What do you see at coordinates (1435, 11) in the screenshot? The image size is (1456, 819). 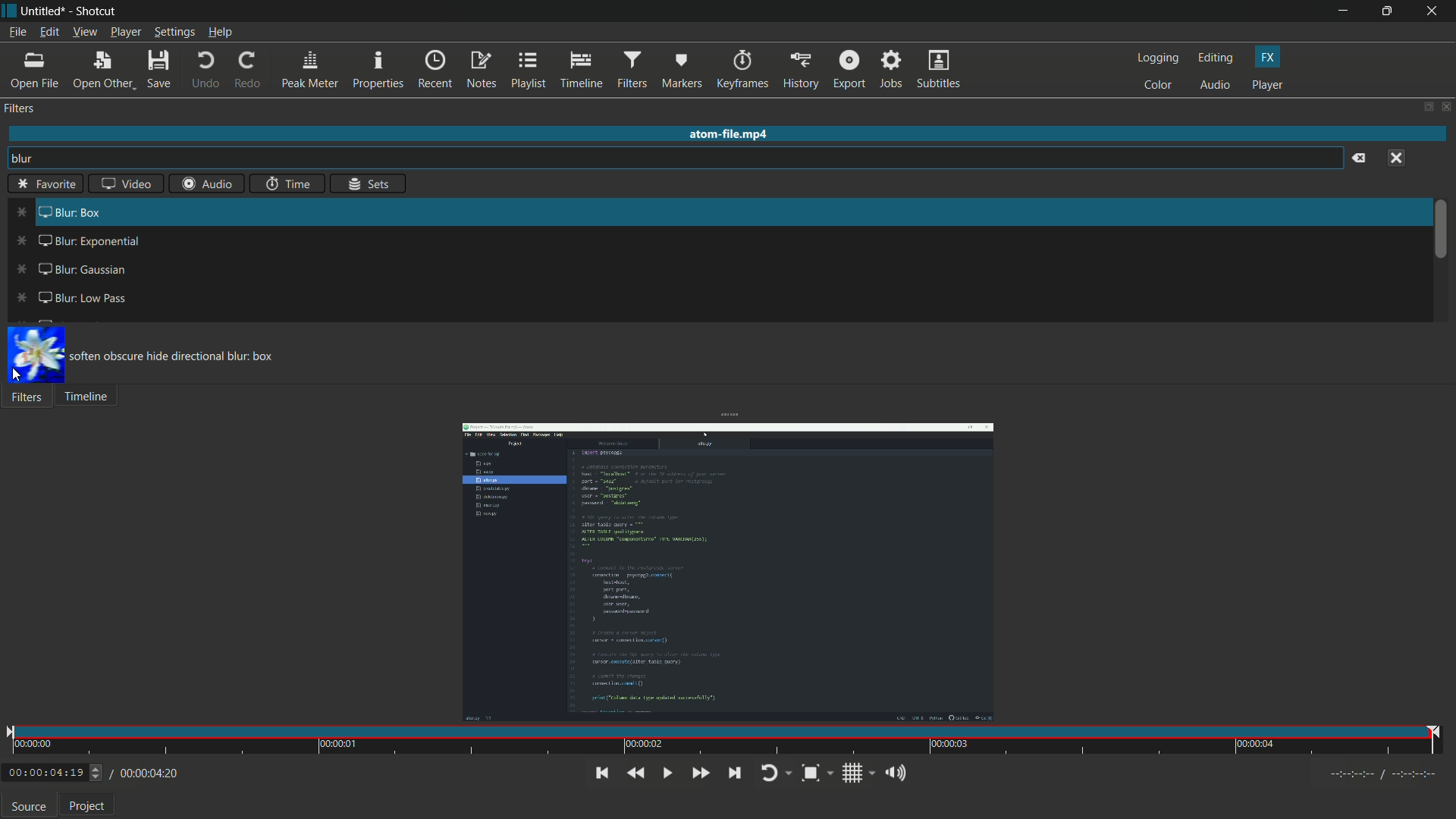 I see `close app` at bounding box center [1435, 11].